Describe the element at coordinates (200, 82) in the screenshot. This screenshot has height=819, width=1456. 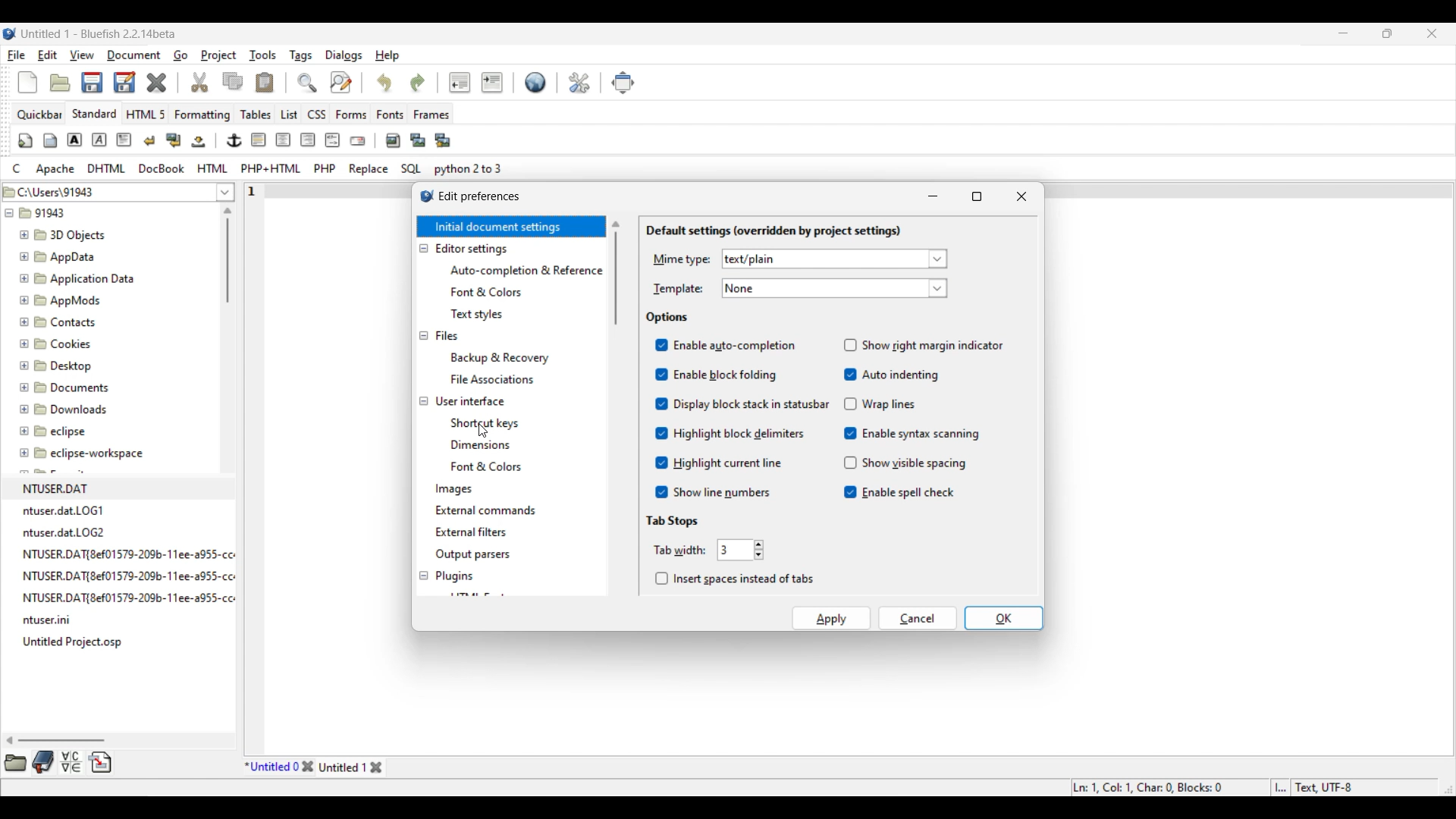
I see `Cut` at that location.